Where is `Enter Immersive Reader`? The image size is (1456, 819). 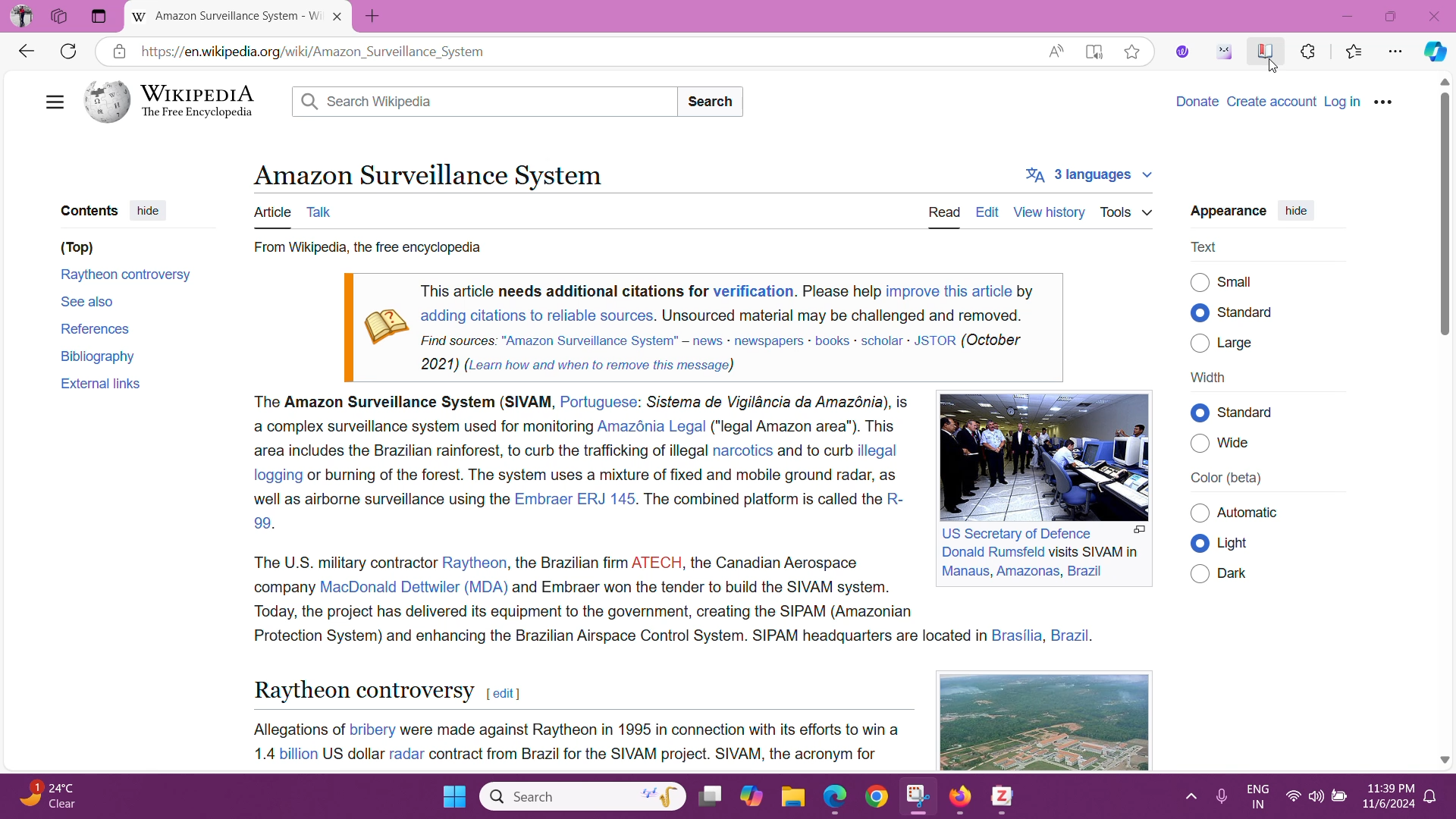
Enter Immersive Reader is located at coordinates (1094, 50).